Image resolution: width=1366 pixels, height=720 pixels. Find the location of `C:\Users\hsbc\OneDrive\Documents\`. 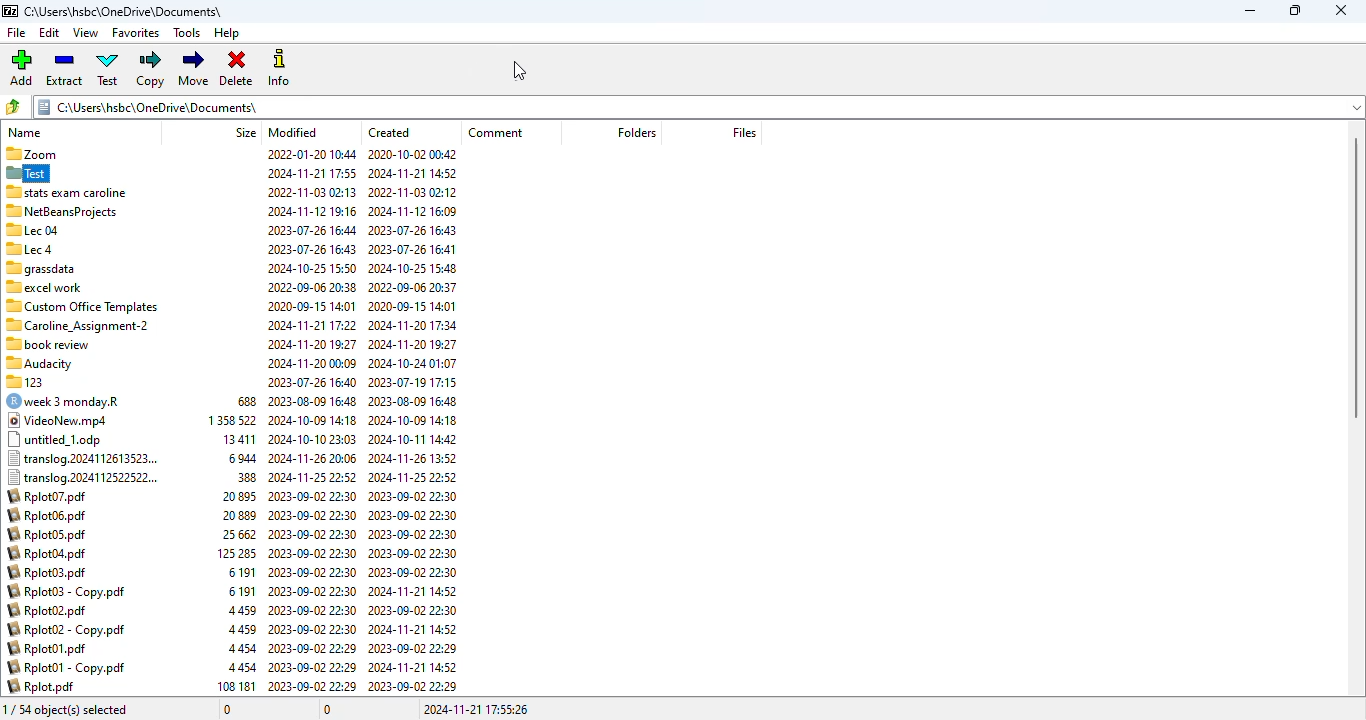

C:\Users\hsbc\OneDrive\Documents\ is located at coordinates (122, 12).